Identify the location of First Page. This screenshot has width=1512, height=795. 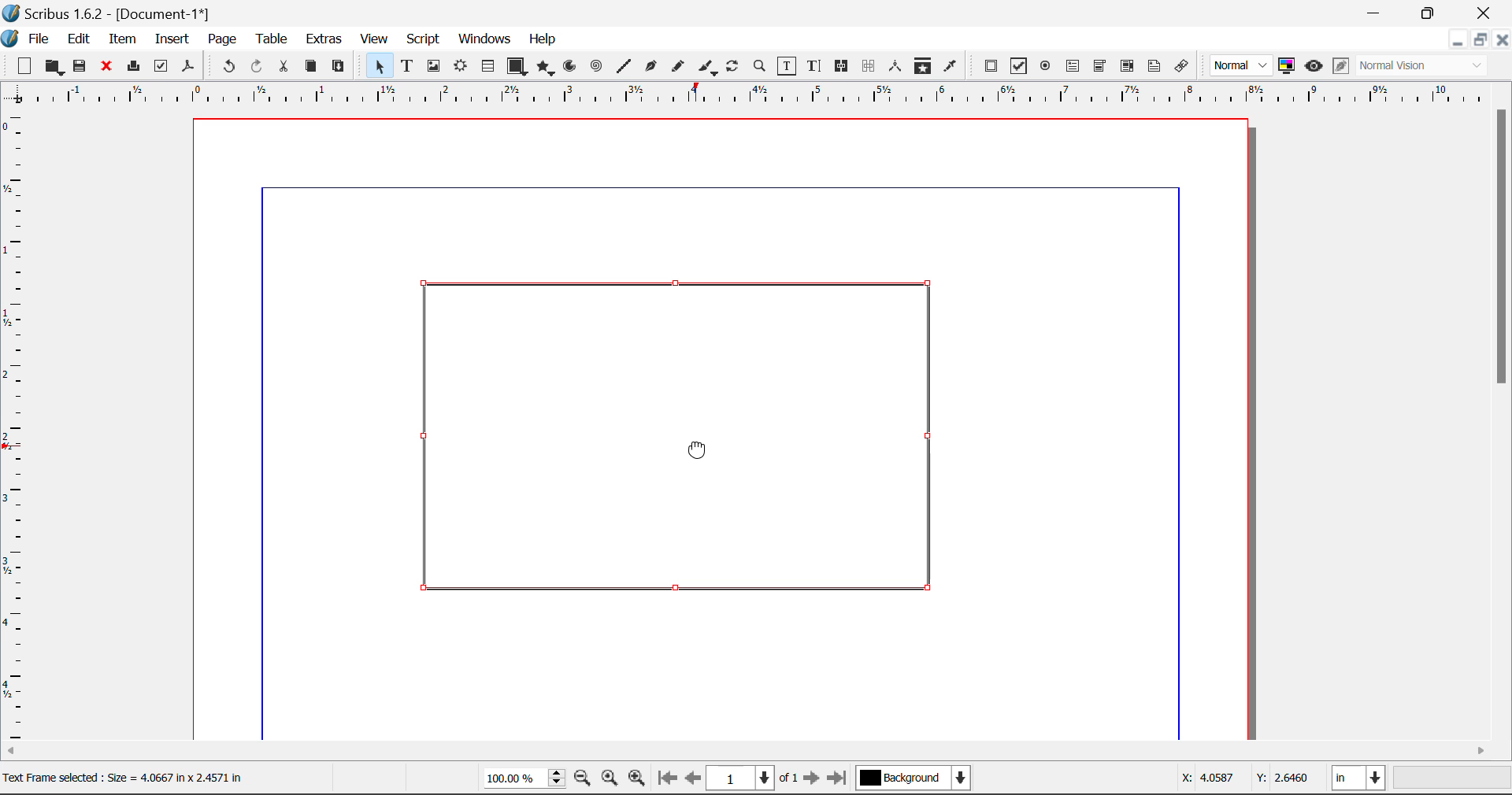
(667, 780).